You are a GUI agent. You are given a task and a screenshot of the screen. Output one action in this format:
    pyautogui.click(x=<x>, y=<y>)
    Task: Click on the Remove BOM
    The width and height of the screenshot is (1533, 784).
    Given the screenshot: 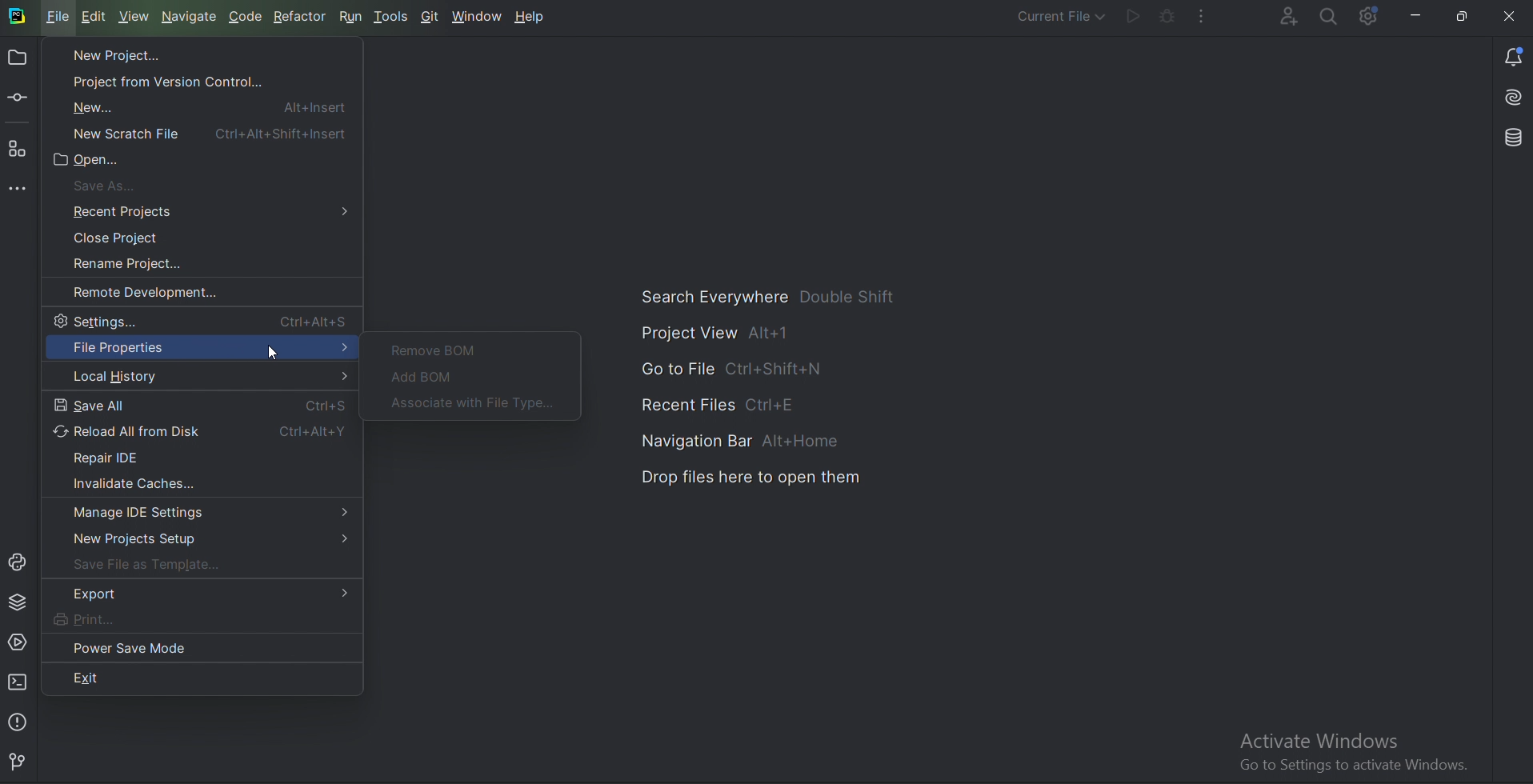 What is the action you would take?
    pyautogui.click(x=437, y=349)
    